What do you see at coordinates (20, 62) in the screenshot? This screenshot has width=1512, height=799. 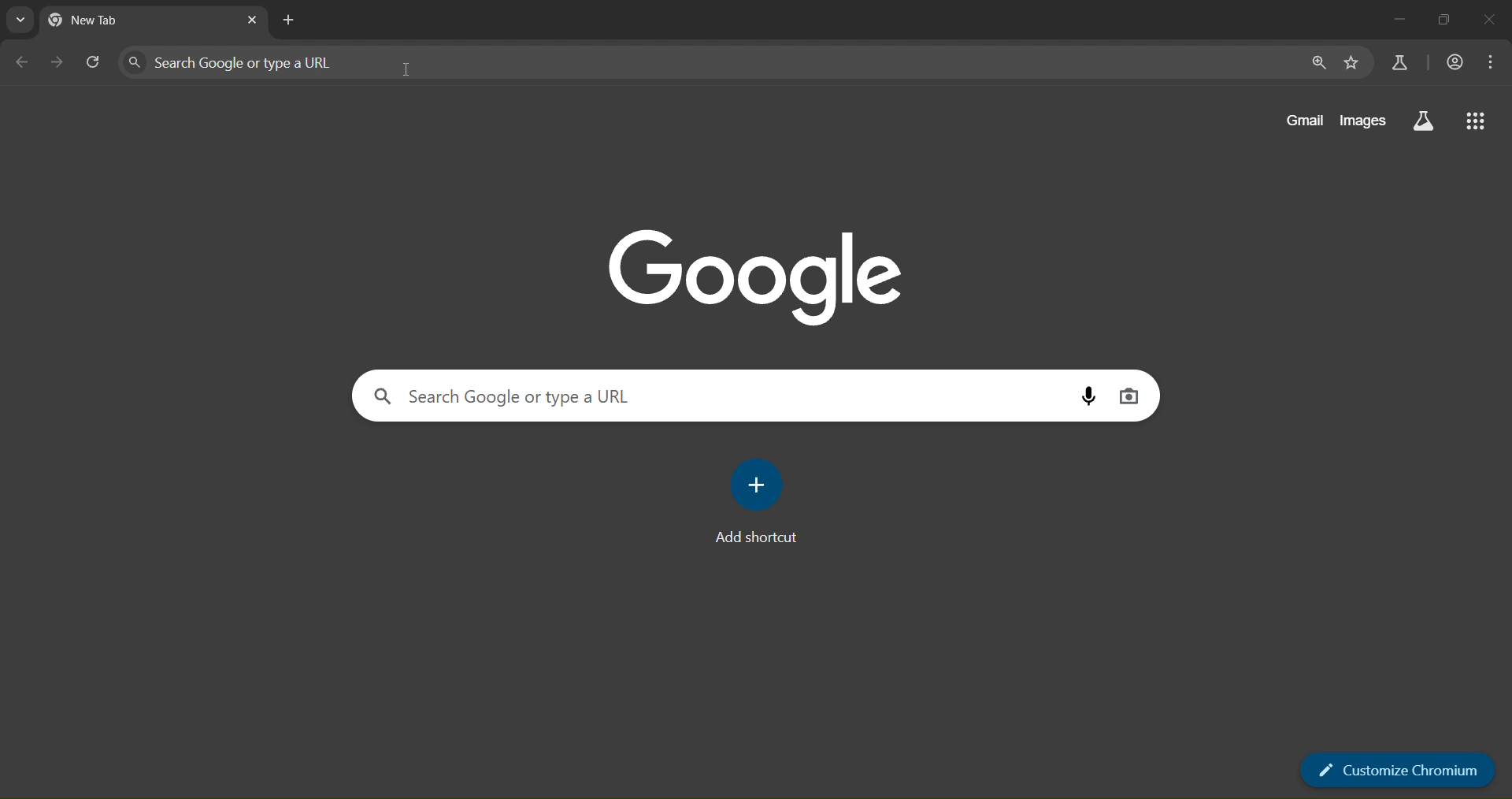 I see `go back one page` at bounding box center [20, 62].